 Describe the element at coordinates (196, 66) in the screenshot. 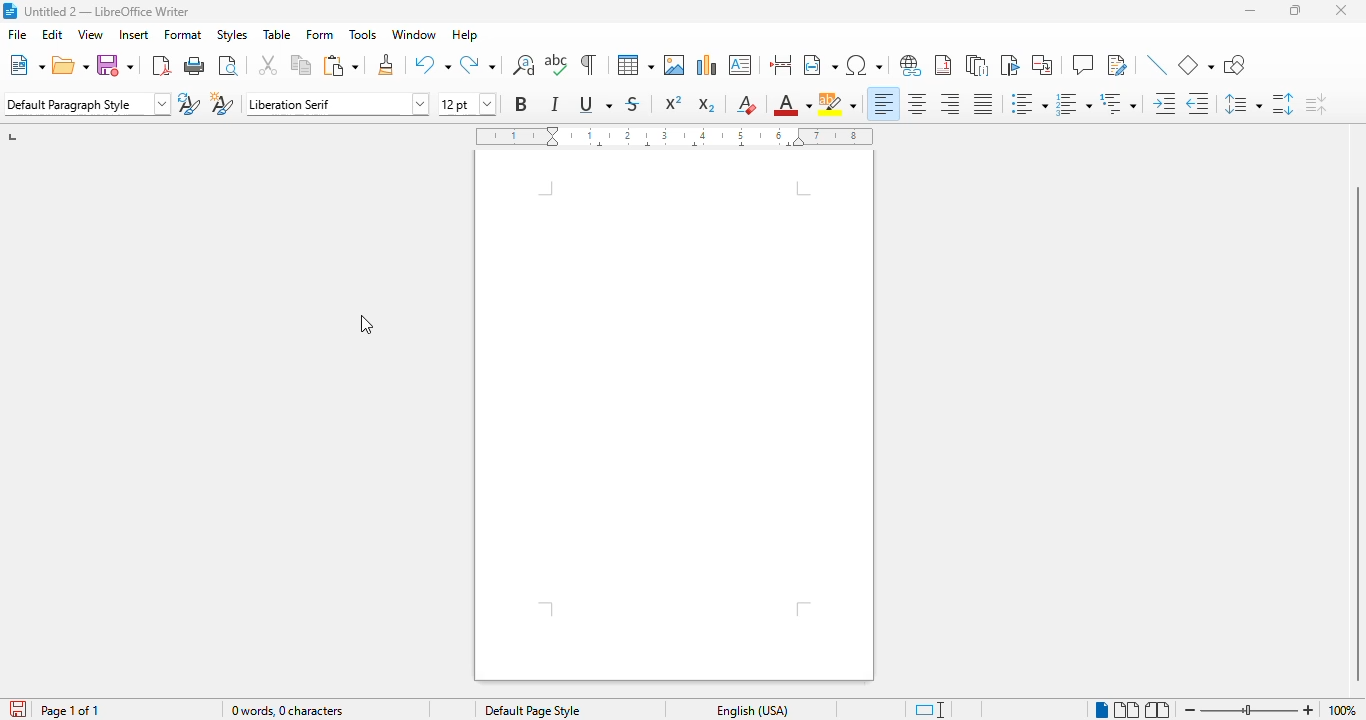

I see `print` at that location.